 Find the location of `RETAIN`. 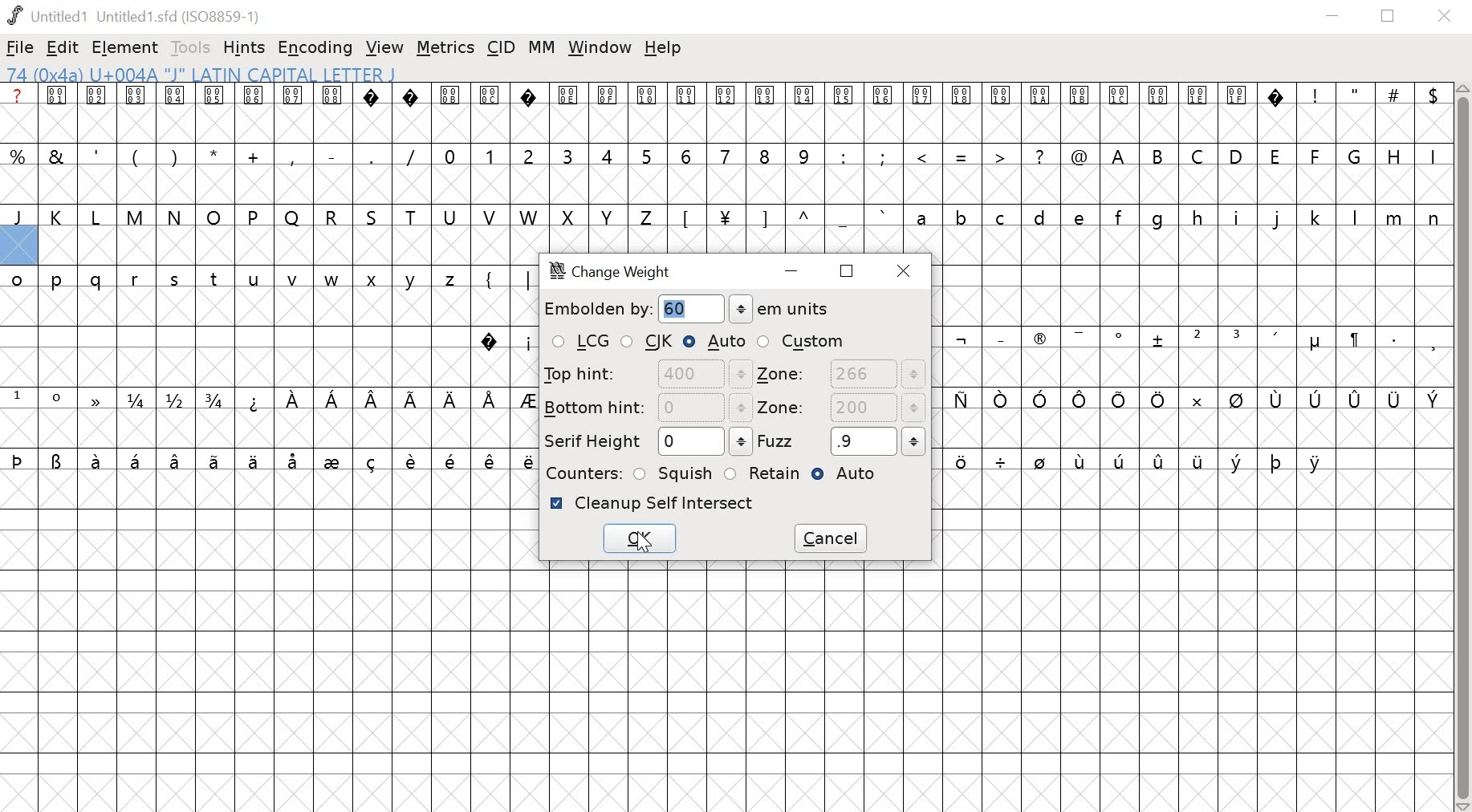

RETAIN is located at coordinates (762, 473).